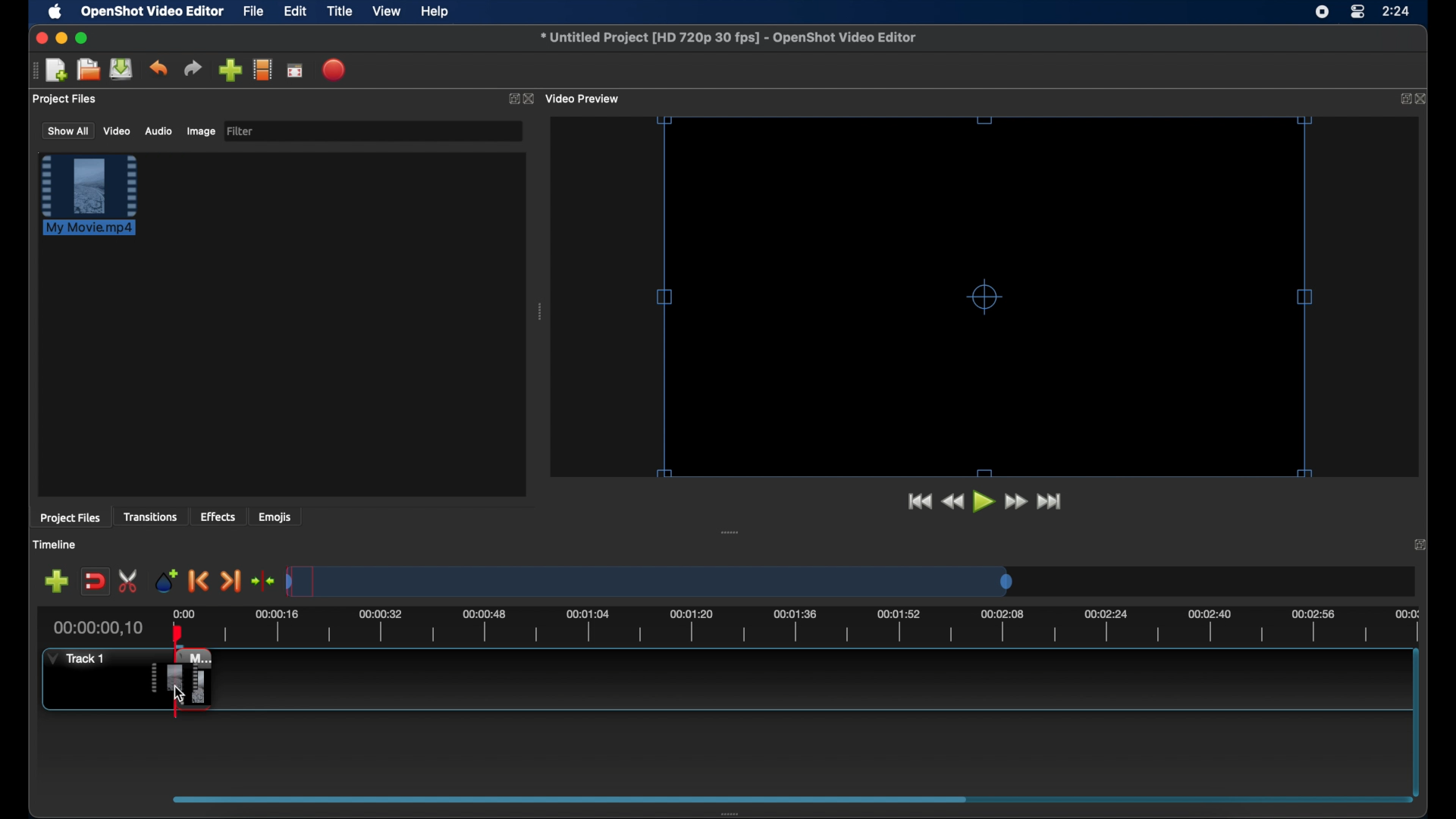 This screenshot has width=1456, height=819. I want to click on enable razor, so click(128, 581).